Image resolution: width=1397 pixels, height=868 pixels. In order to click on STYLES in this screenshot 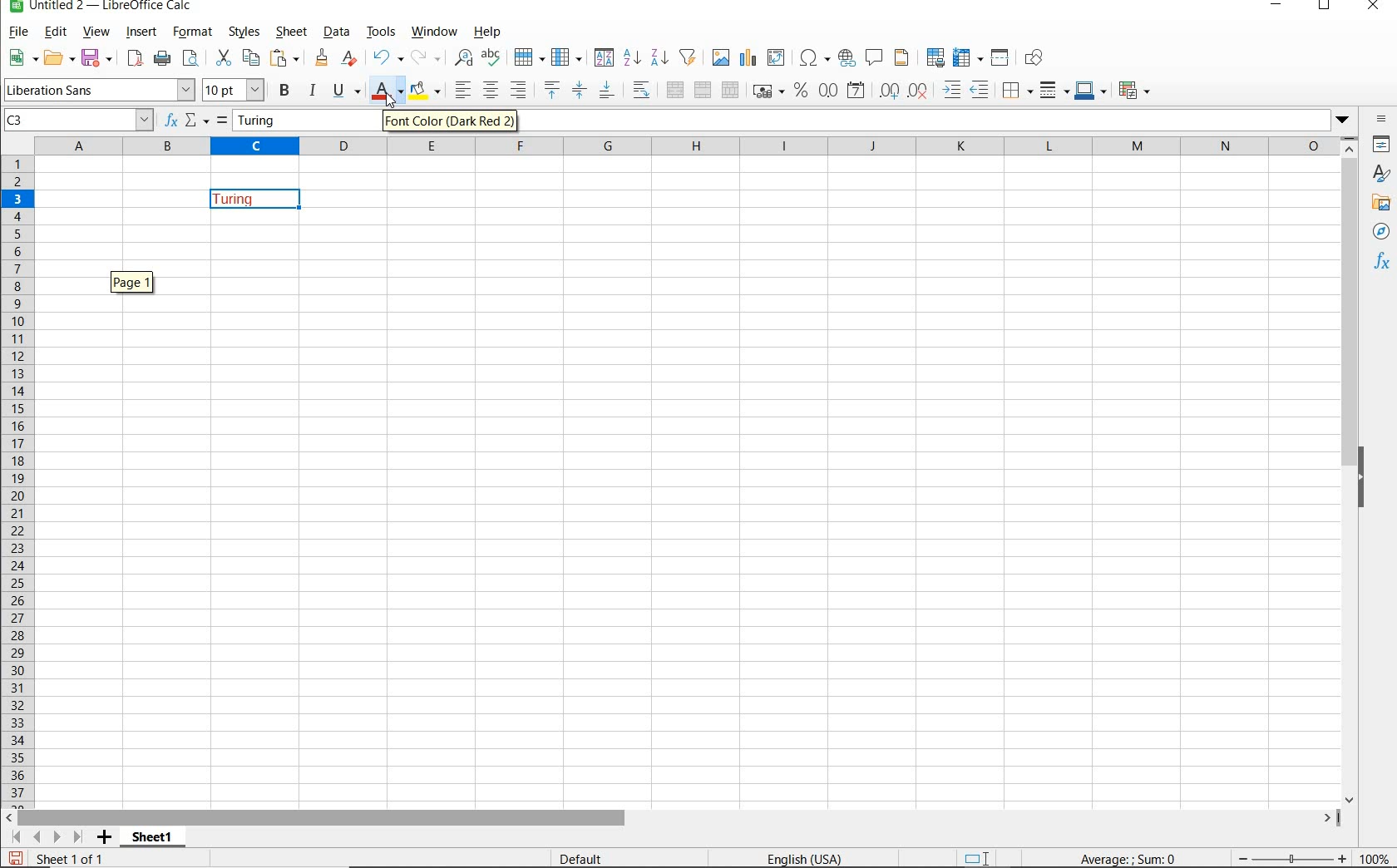, I will do `click(1382, 176)`.